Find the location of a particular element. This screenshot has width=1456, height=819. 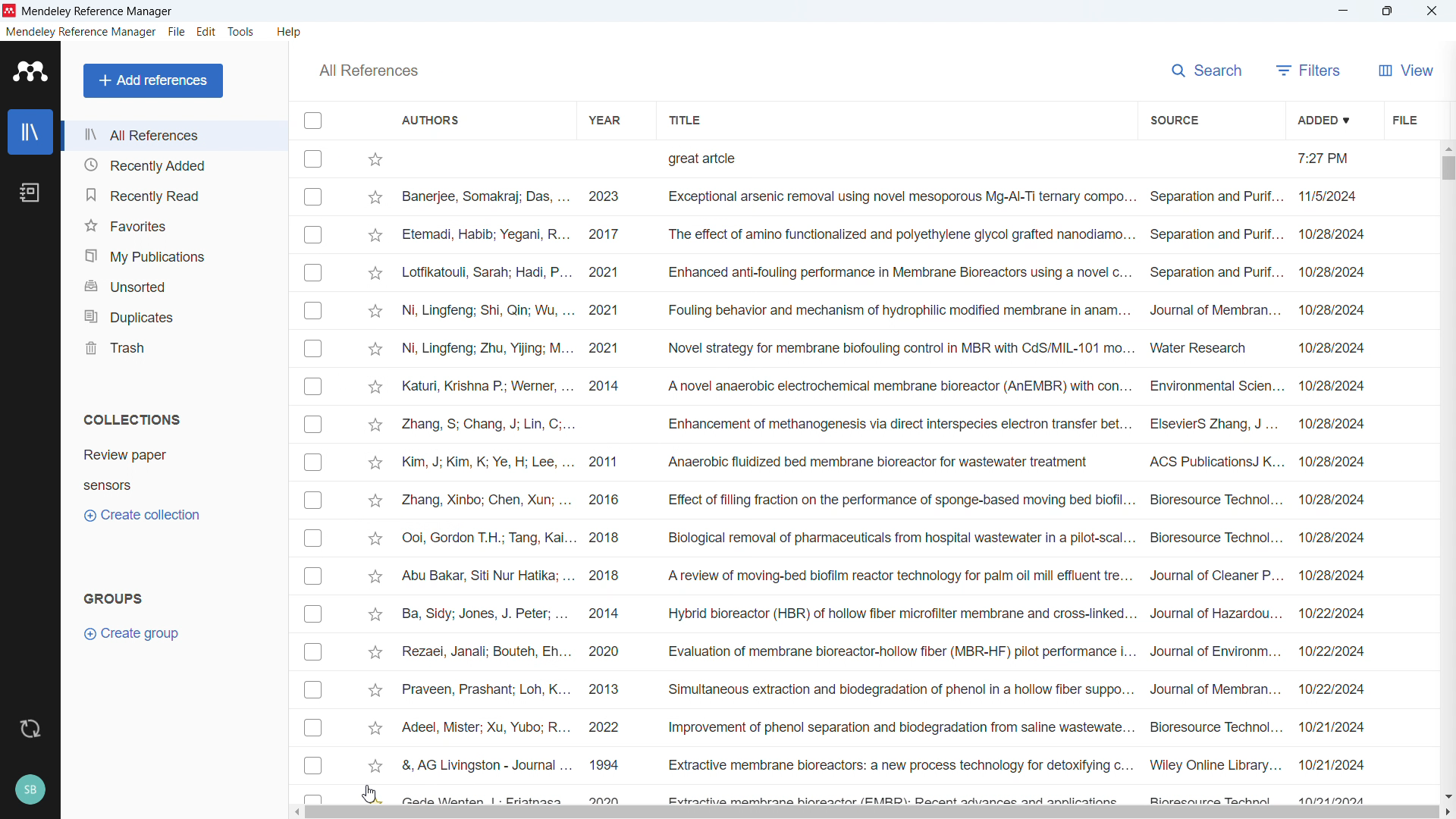

Sync  is located at coordinates (30, 730).